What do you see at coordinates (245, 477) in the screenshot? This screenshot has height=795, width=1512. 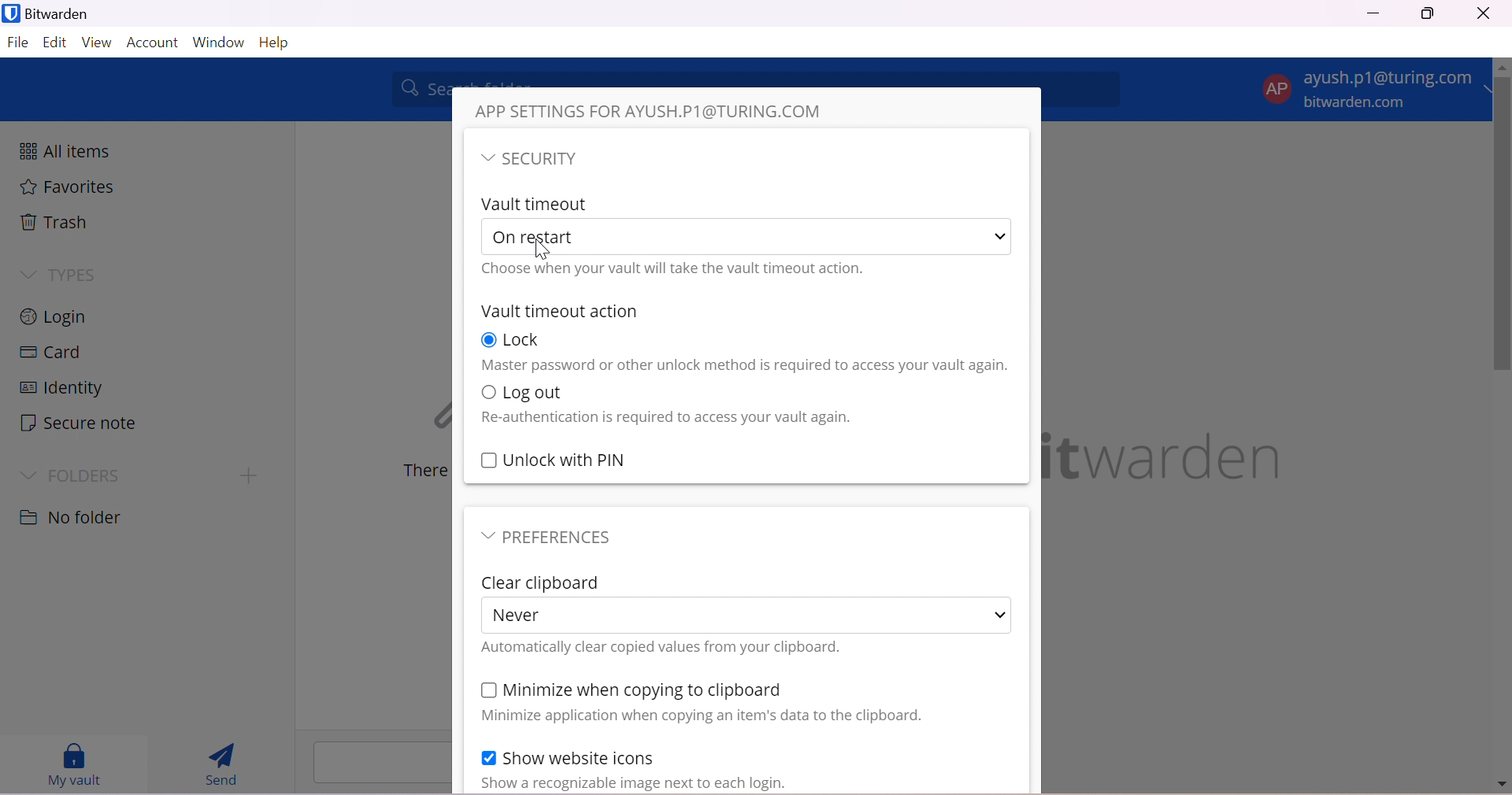 I see `create folder` at bounding box center [245, 477].